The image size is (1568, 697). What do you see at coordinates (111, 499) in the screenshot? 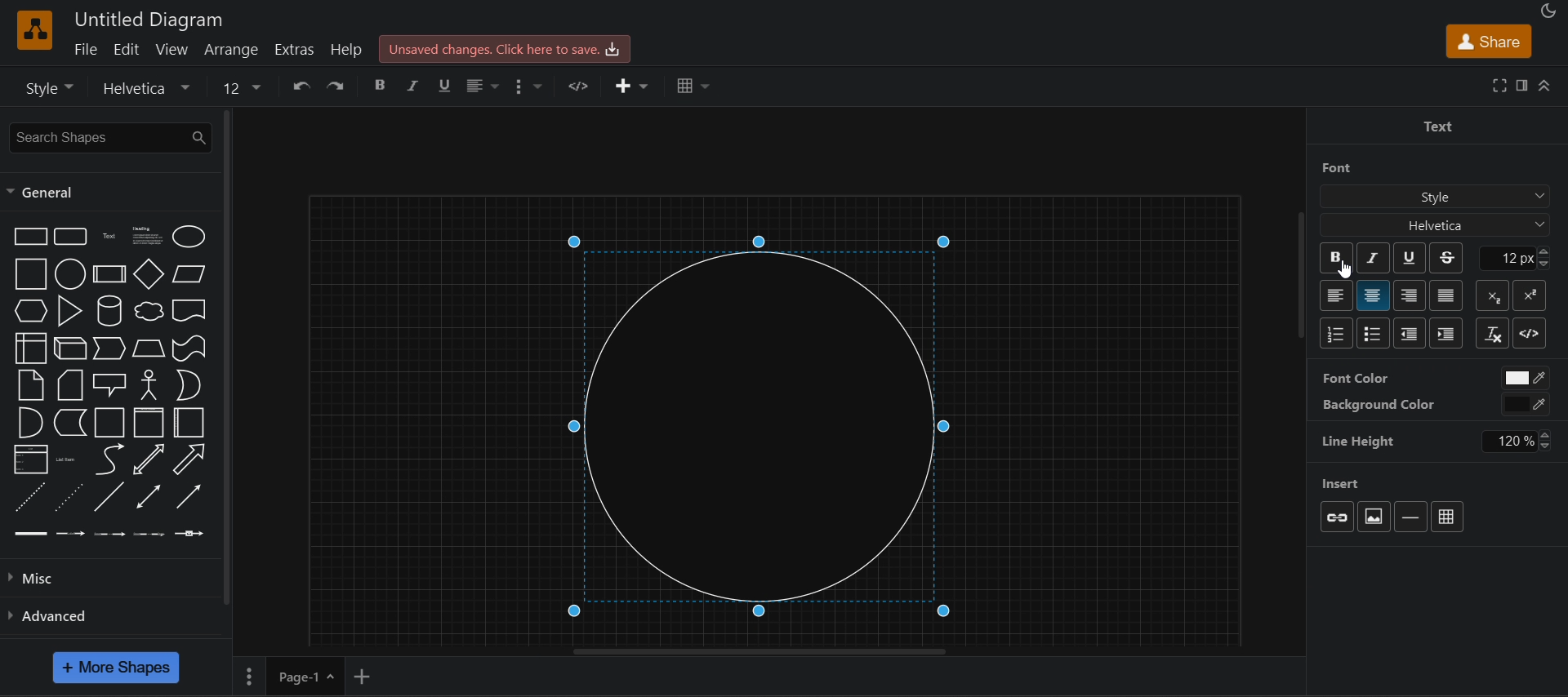
I see `line` at bounding box center [111, 499].